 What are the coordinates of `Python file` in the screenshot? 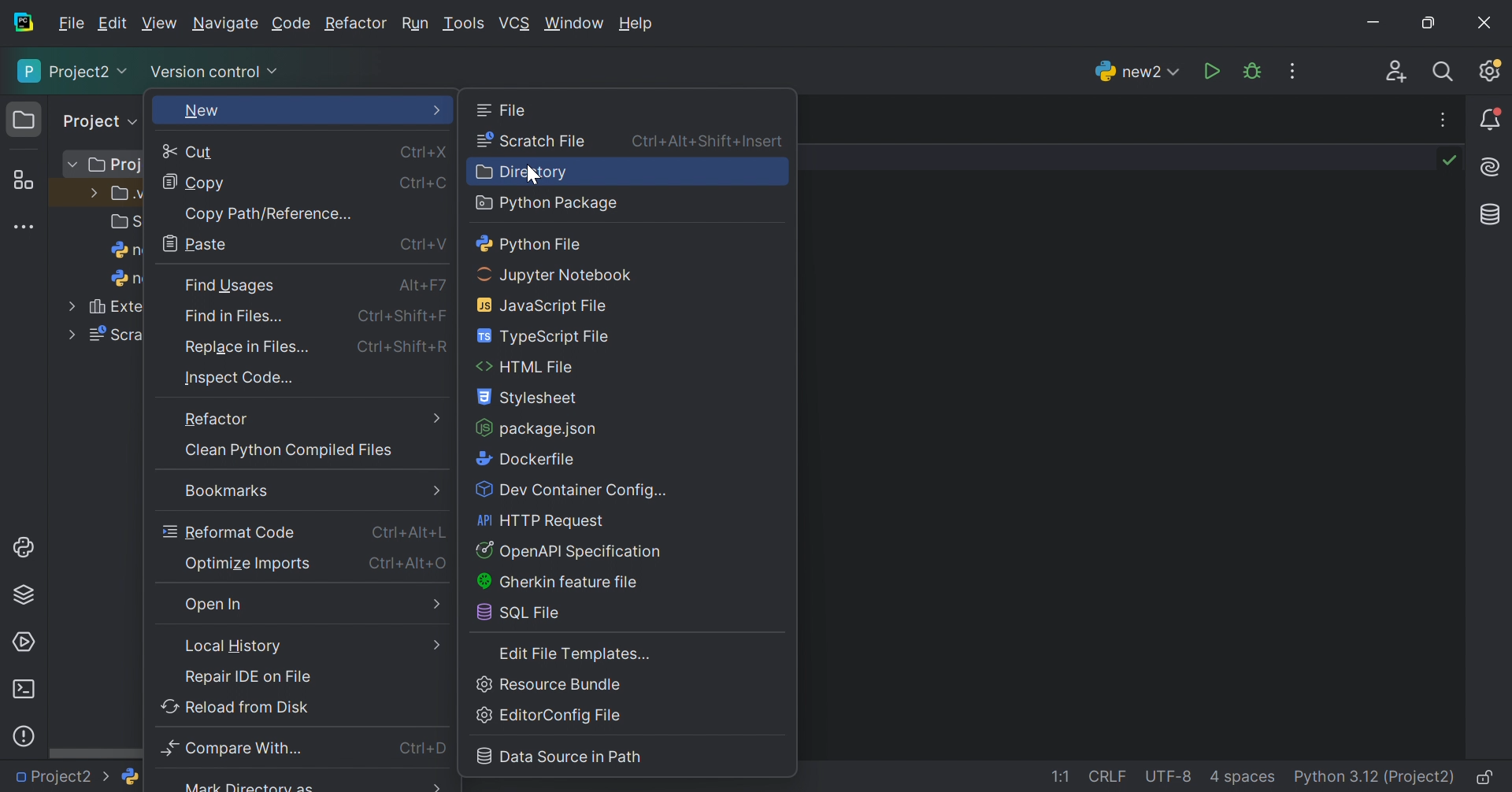 It's located at (533, 245).